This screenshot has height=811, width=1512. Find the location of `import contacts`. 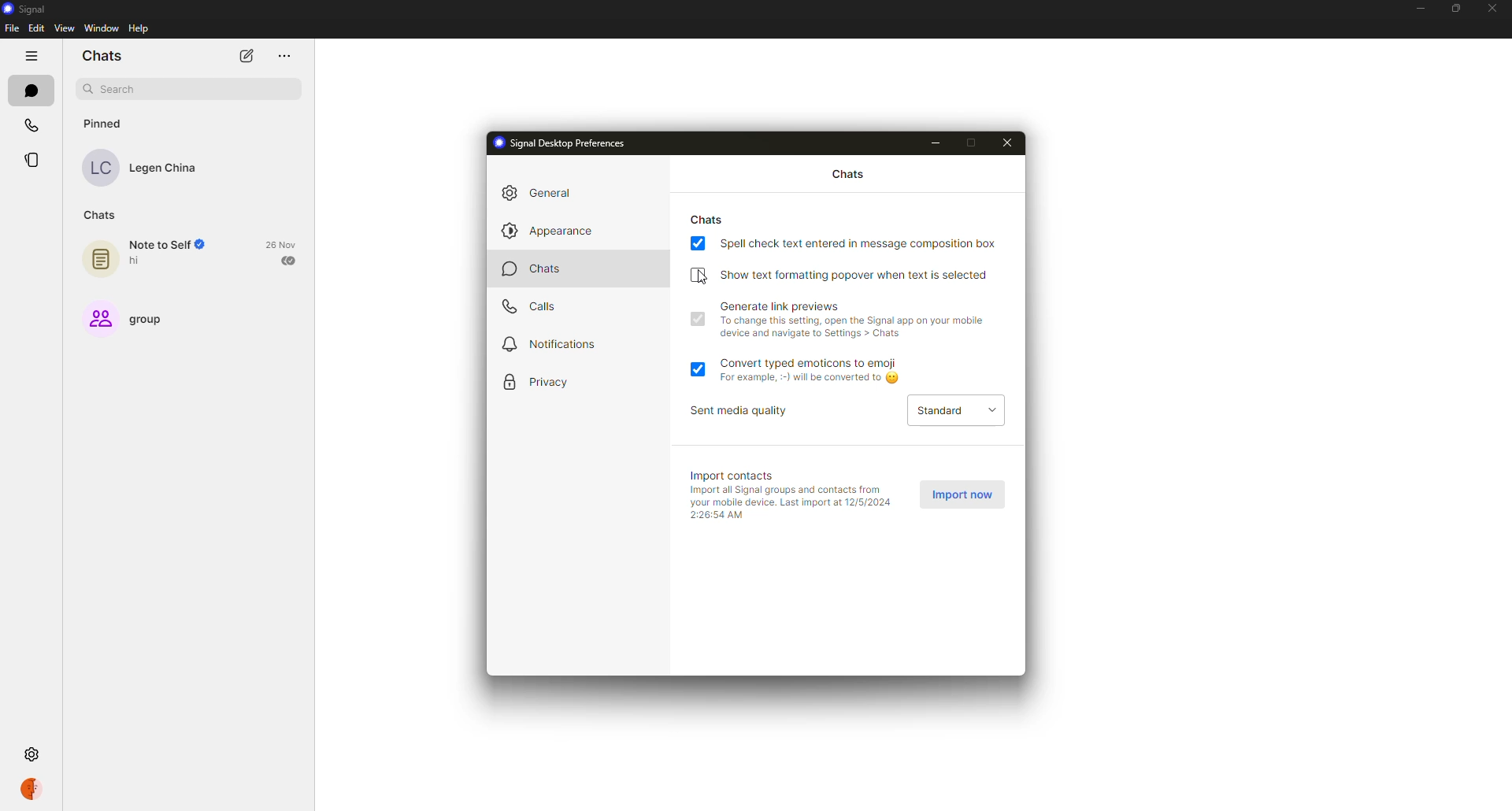

import contacts is located at coordinates (737, 475).